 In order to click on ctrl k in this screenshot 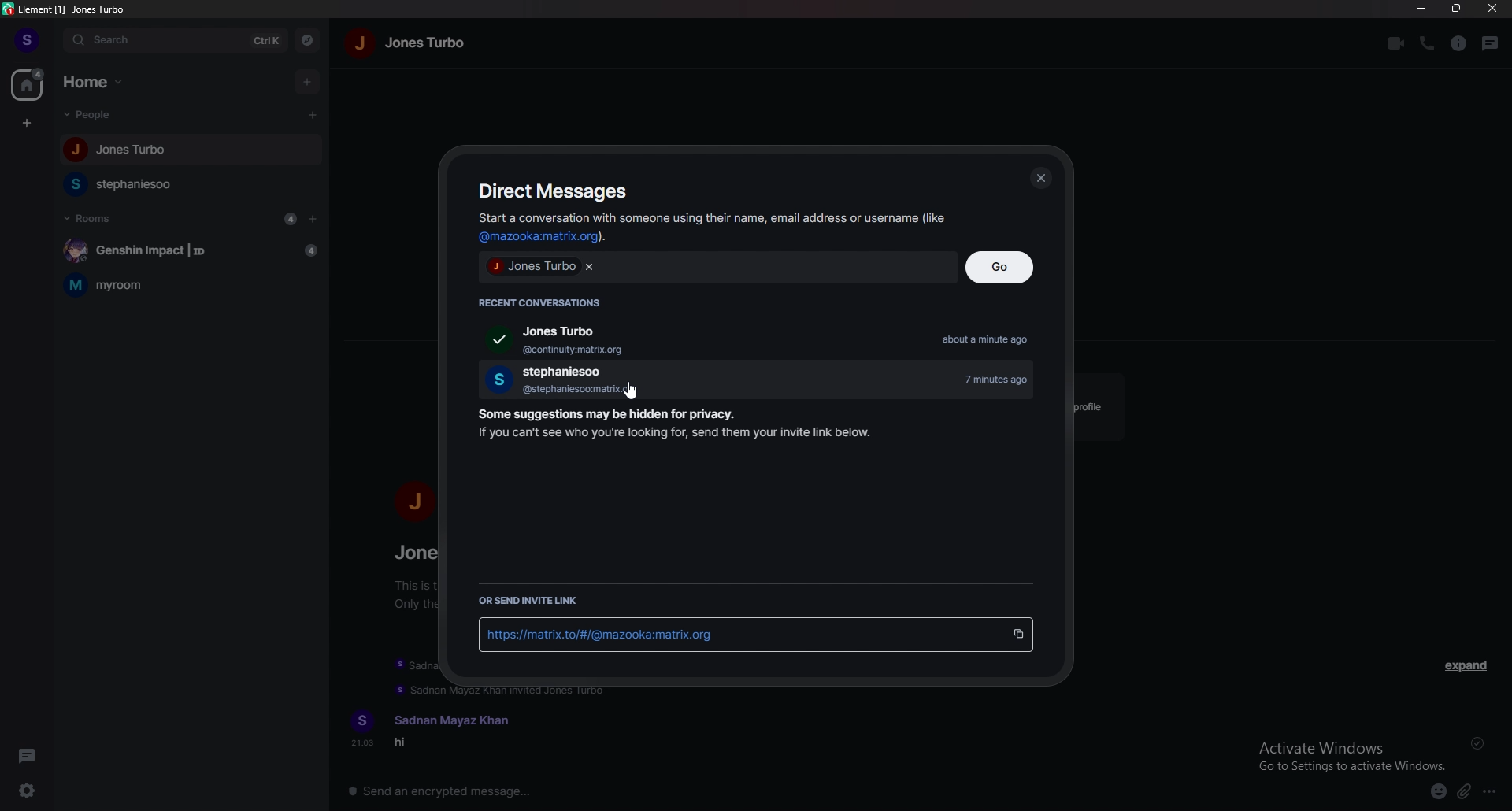, I will do `click(268, 43)`.